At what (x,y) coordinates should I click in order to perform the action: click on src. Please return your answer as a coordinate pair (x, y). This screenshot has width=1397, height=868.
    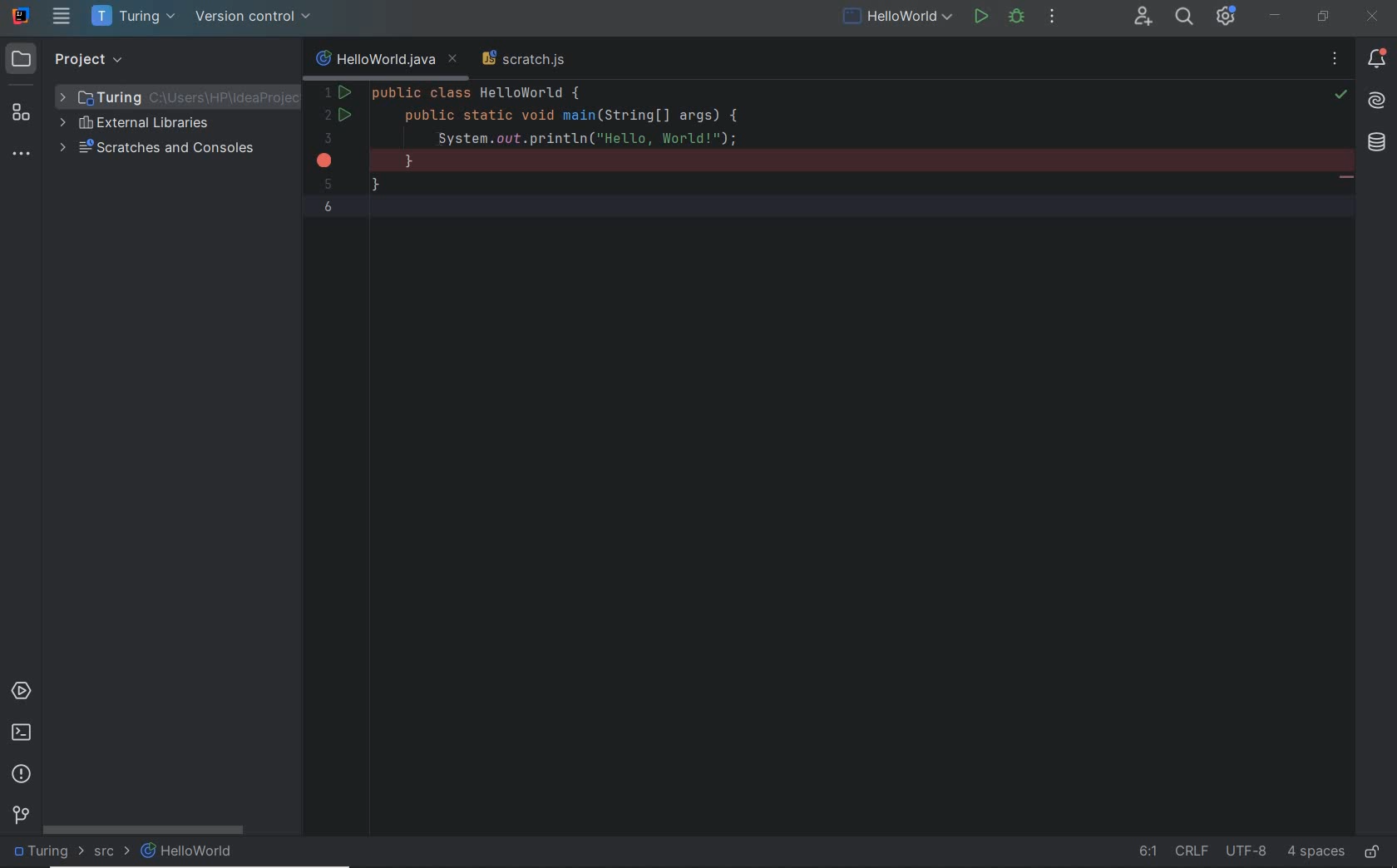
    Looking at the image, I should click on (109, 852).